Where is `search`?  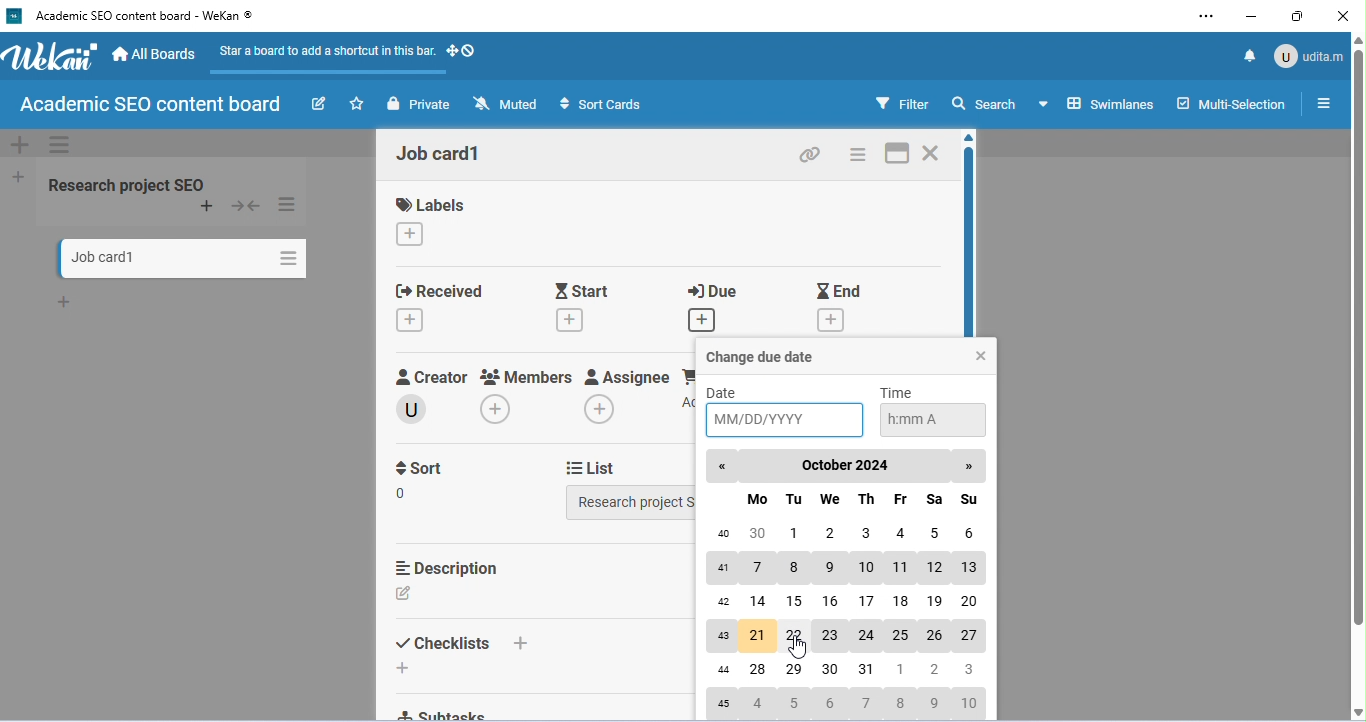 search is located at coordinates (984, 103).